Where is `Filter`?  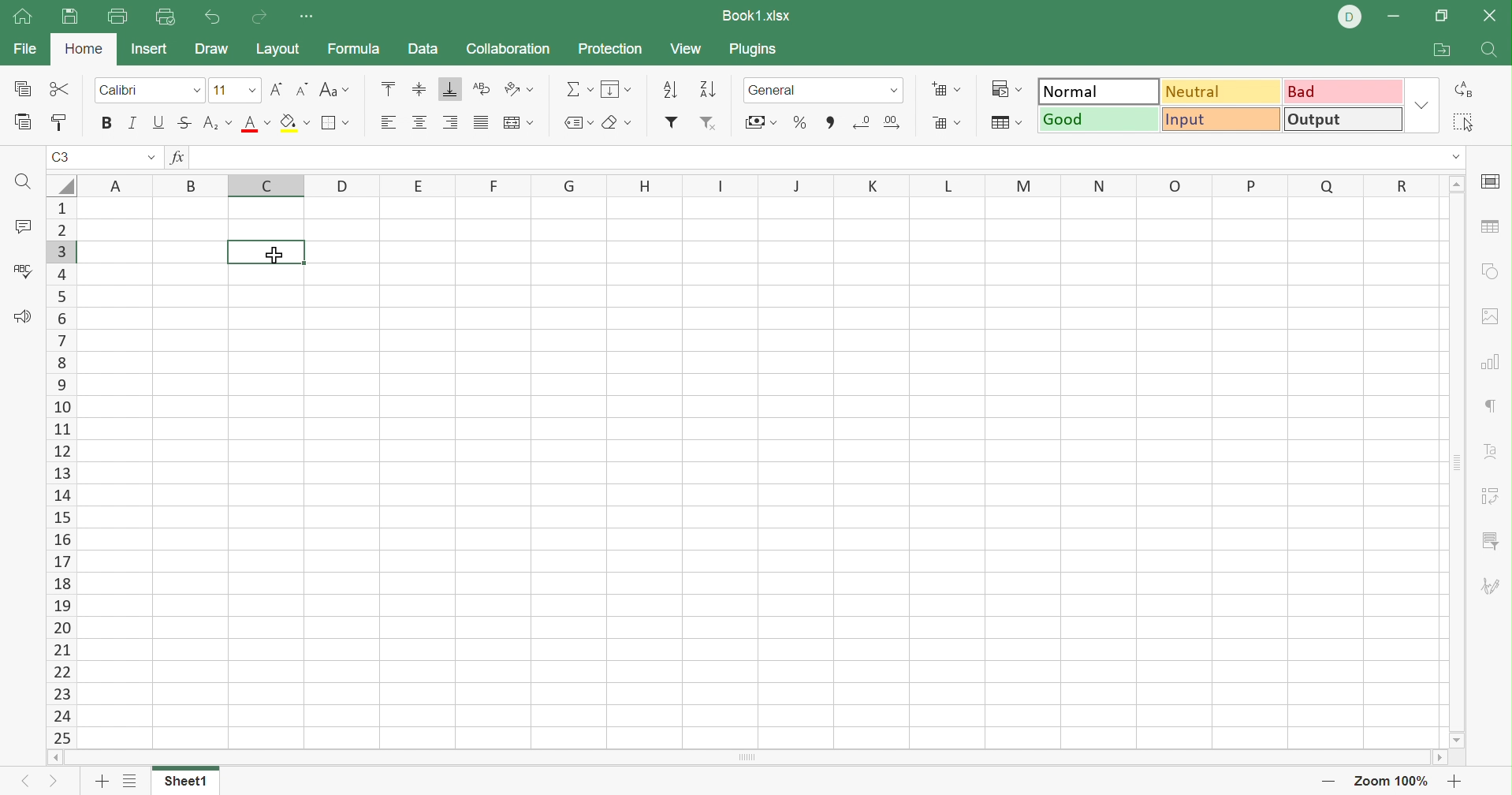 Filter is located at coordinates (672, 123).